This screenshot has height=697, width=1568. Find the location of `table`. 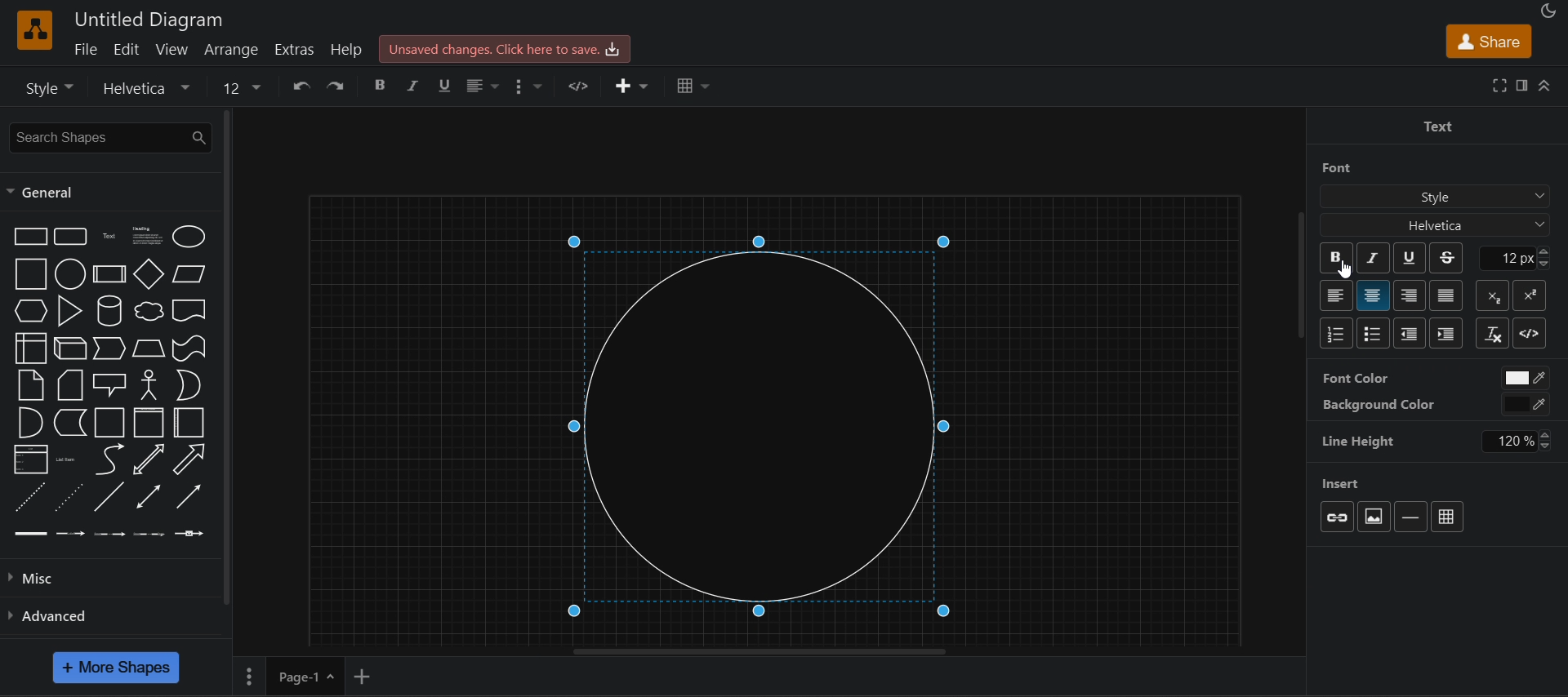

table is located at coordinates (1448, 515).